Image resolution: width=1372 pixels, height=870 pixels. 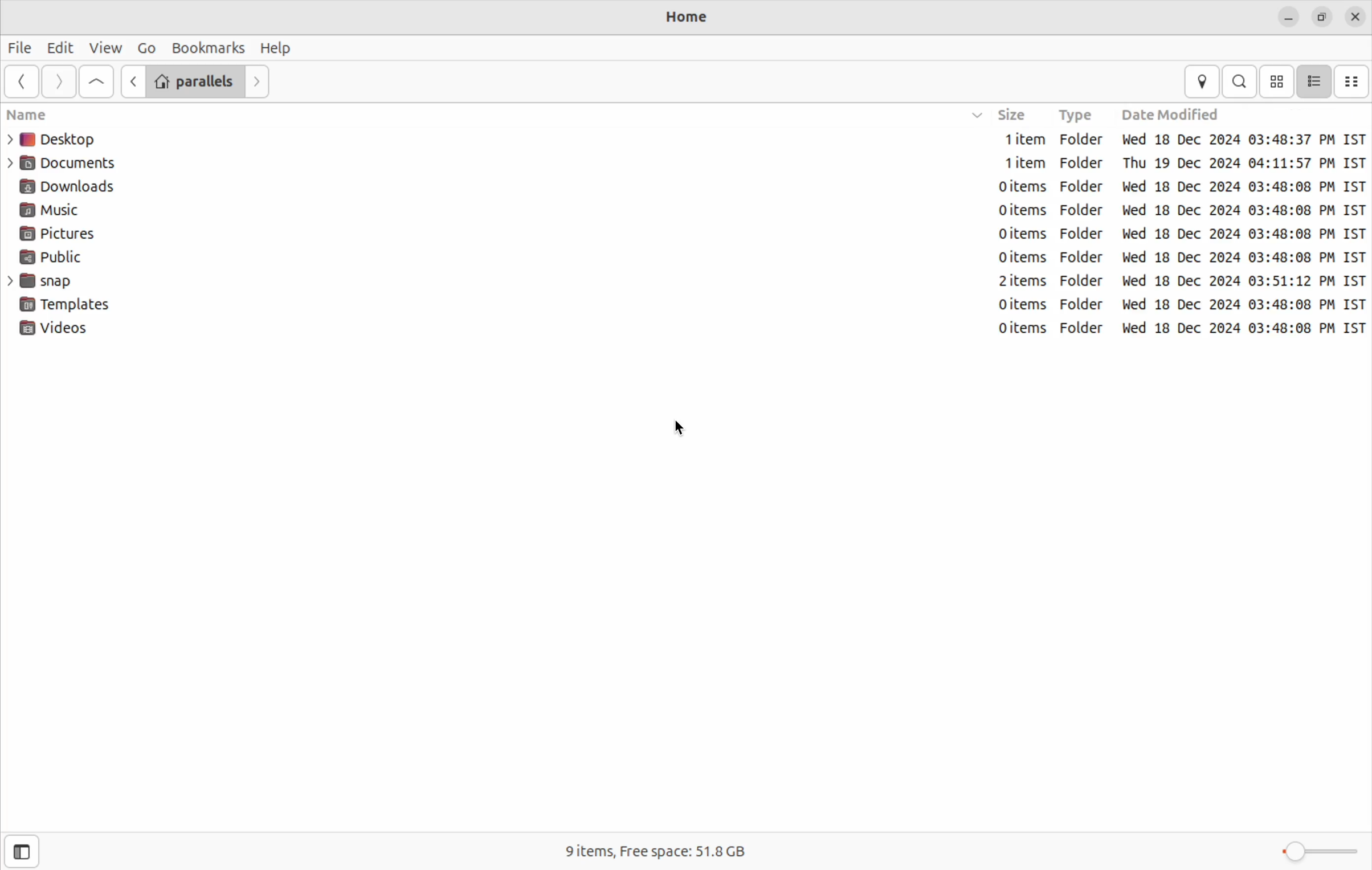 I want to click on Downloads, so click(x=81, y=185).